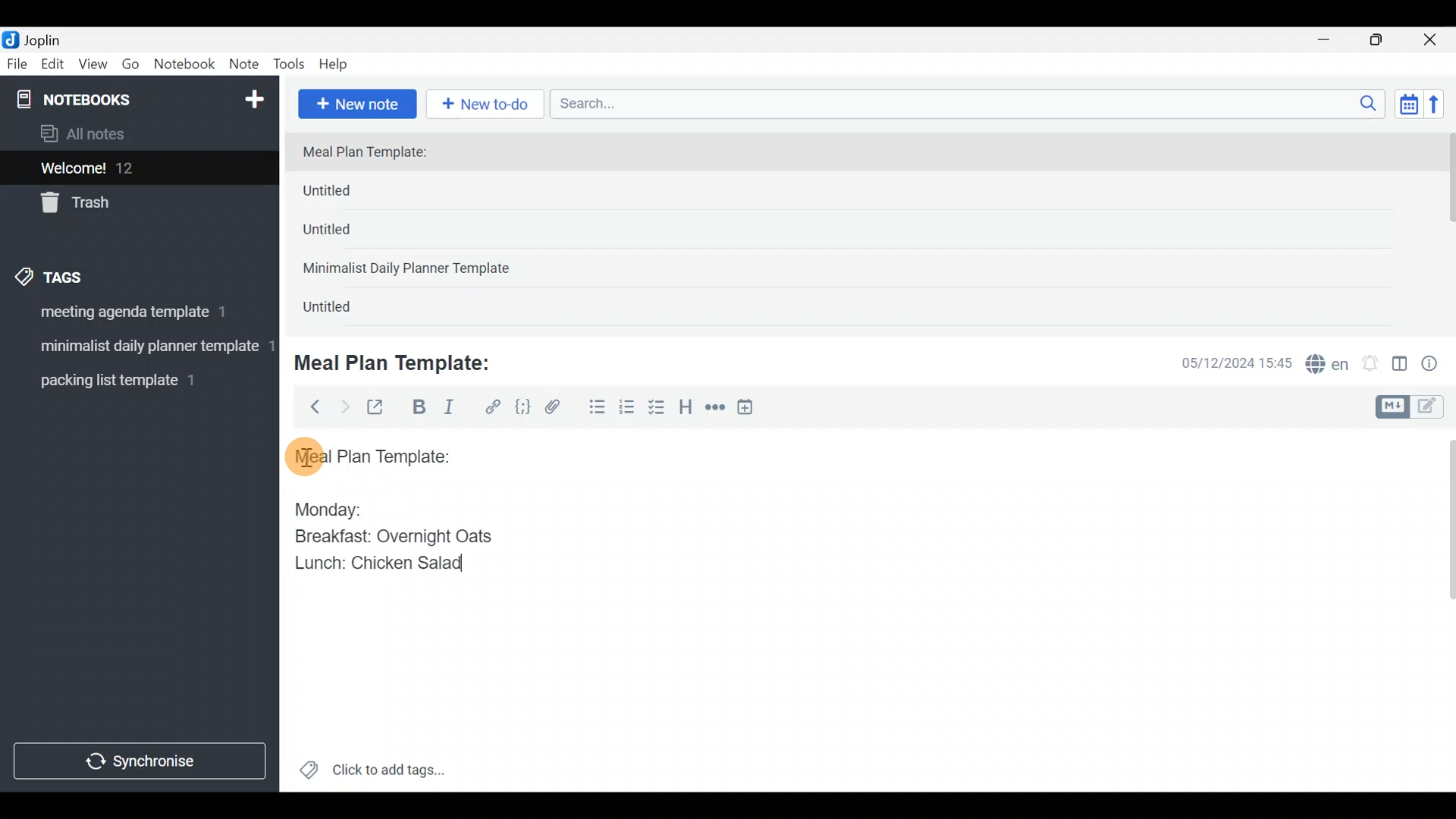 This screenshot has height=819, width=1456. I want to click on Meal Plan Template:, so click(402, 361).